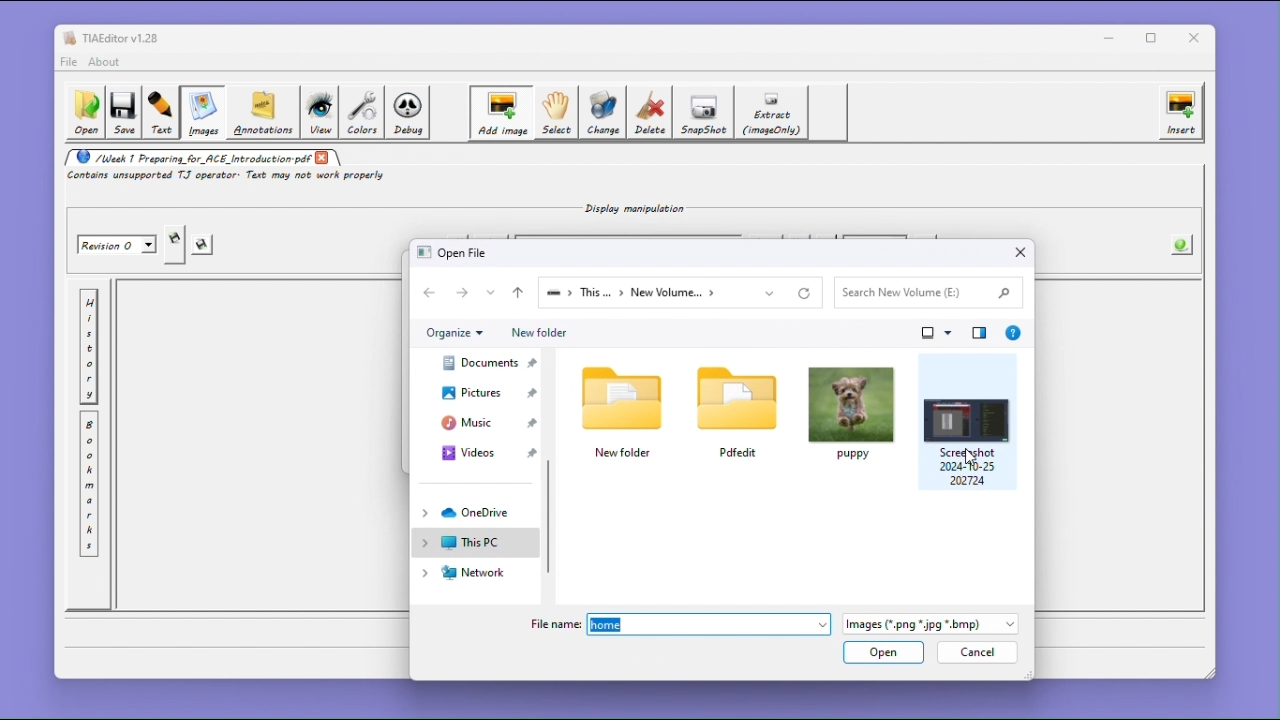 The image size is (1280, 720). What do you see at coordinates (362, 112) in the screenshot?
I see `colors ` at bounding box center [362, 112].